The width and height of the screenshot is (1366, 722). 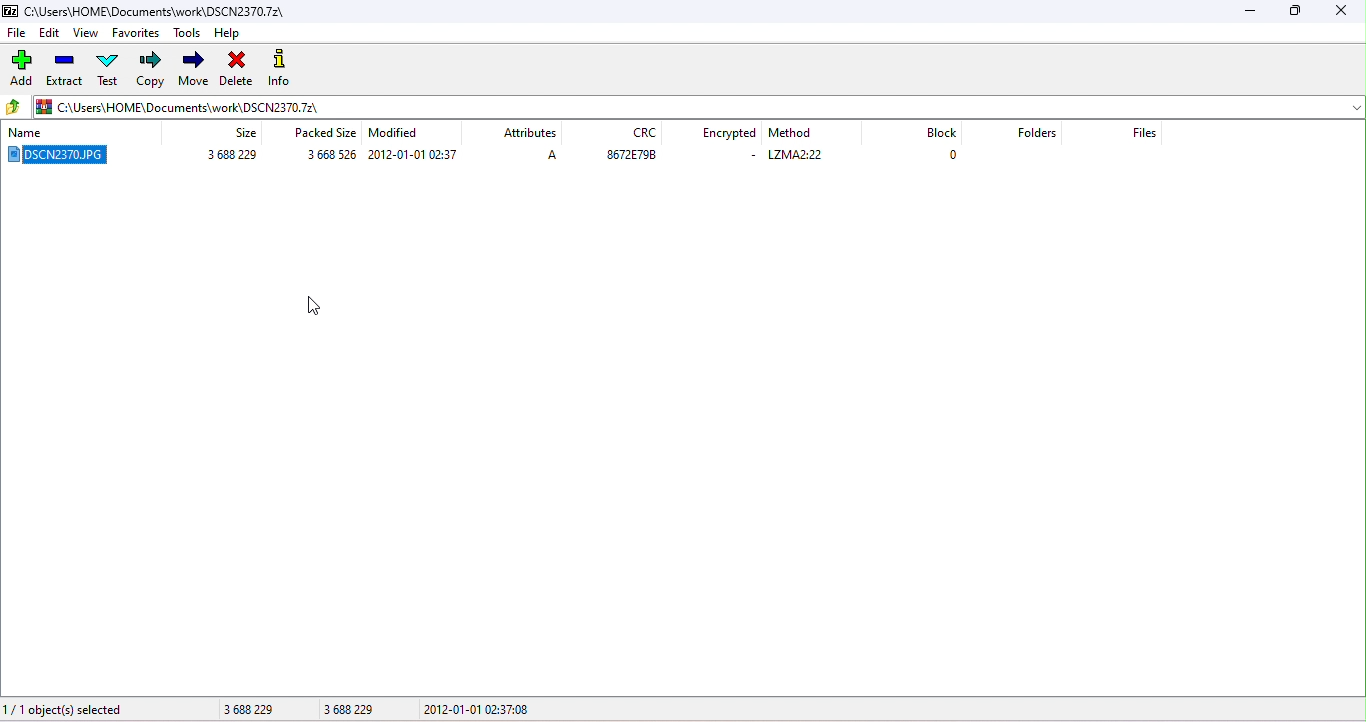 What do you see at coordinates (108, 71) in the screenshot?
I see `test` at bounding box center [108, 71].